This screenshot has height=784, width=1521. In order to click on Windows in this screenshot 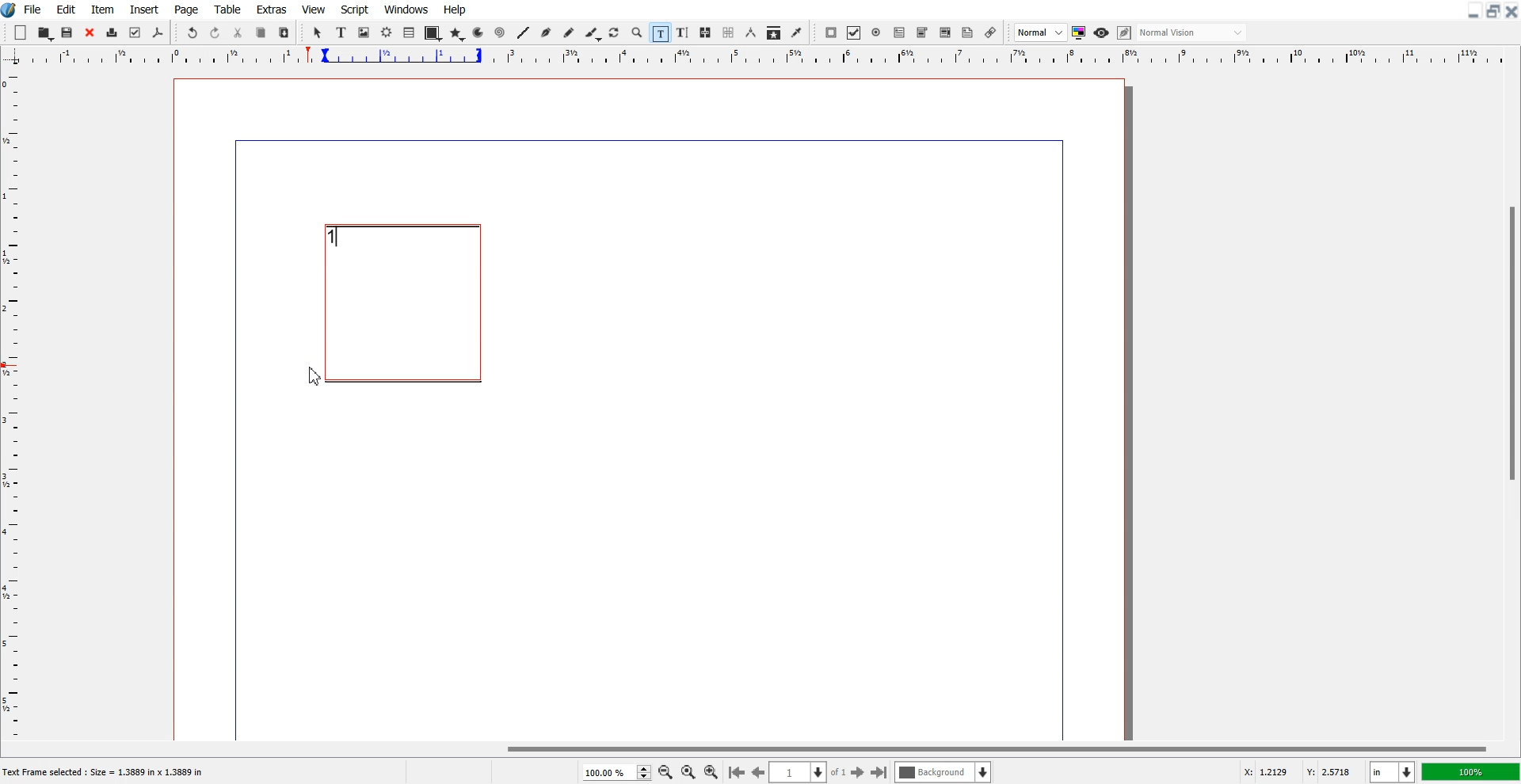, I will do `click(407, 9)`.